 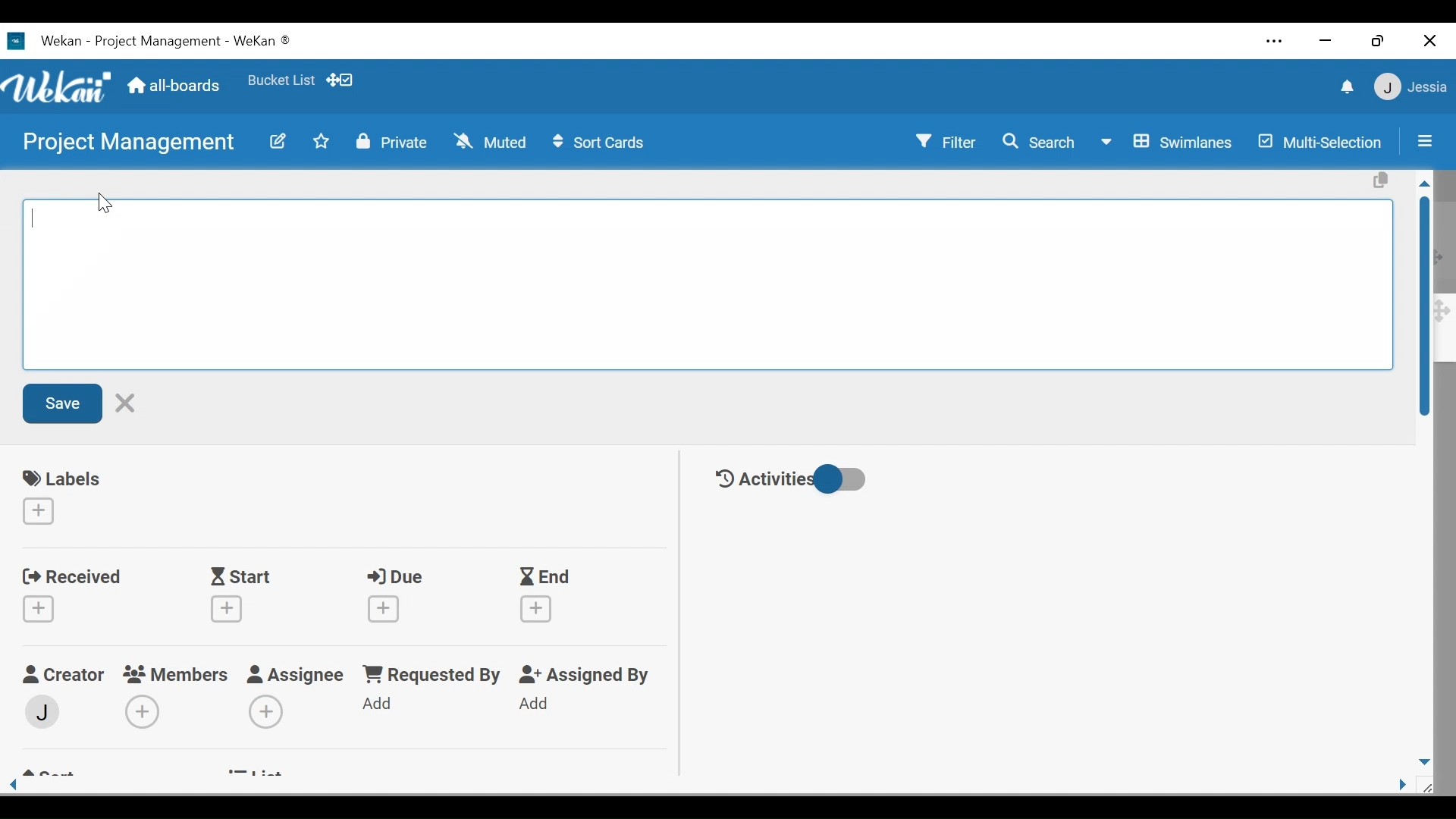 I want to click on Toggle favorites, so click(x=322, y=142).